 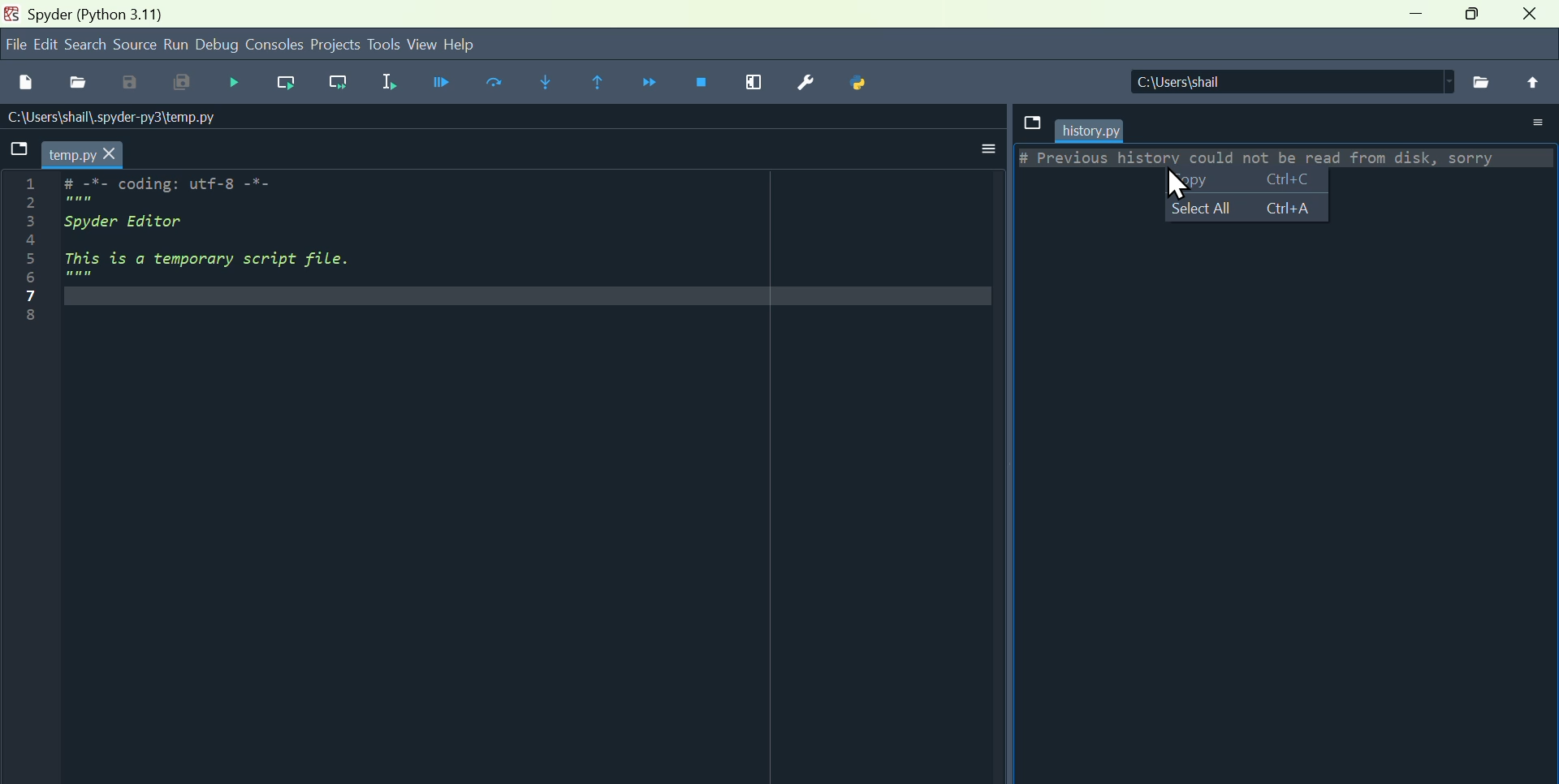 What do you see at coordinates (274, 46) in the screenshot?
I see `Consoles` at bounding box center [274, 46].